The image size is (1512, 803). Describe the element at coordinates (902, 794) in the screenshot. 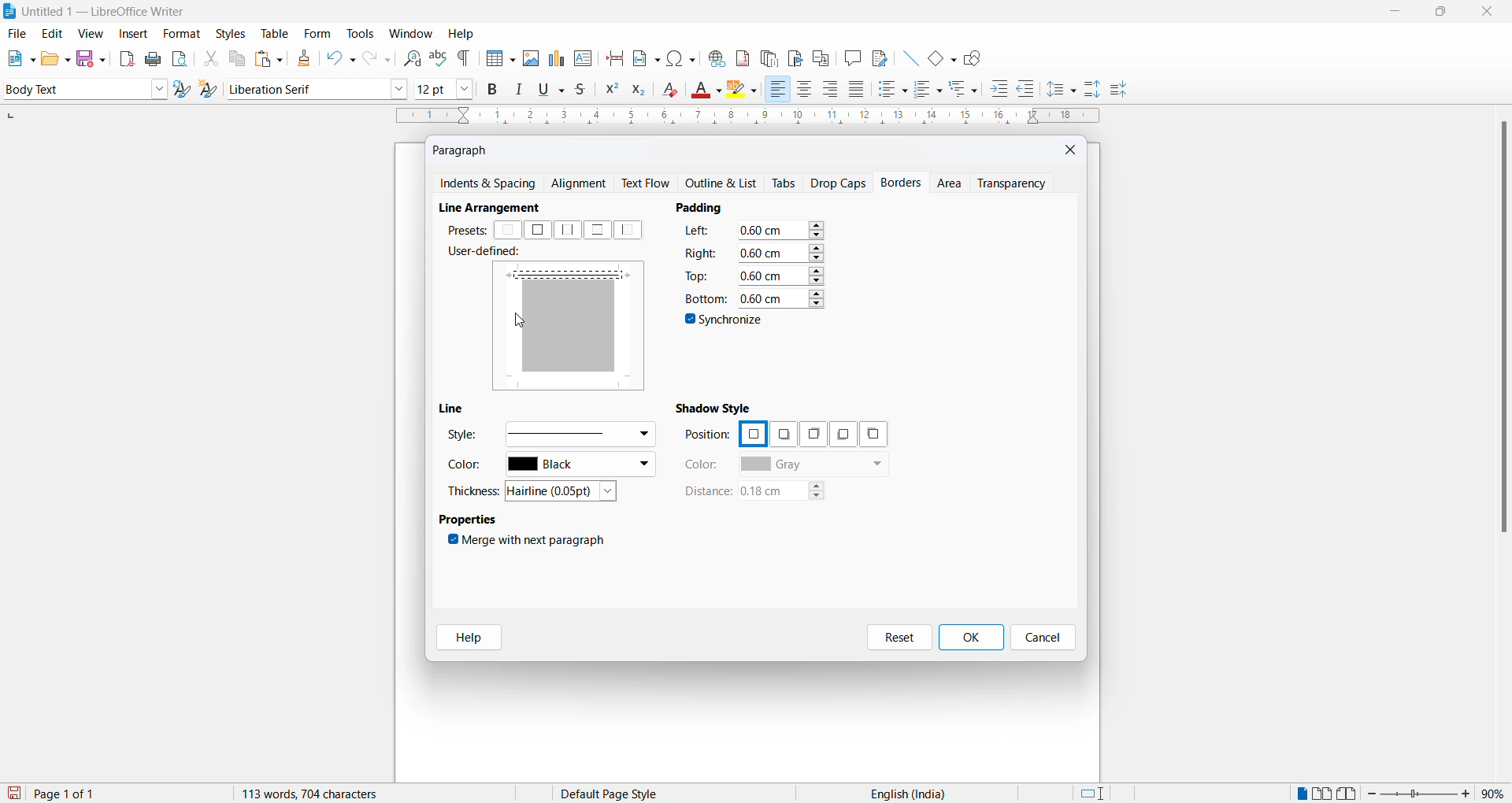

I see `text language` at that location.